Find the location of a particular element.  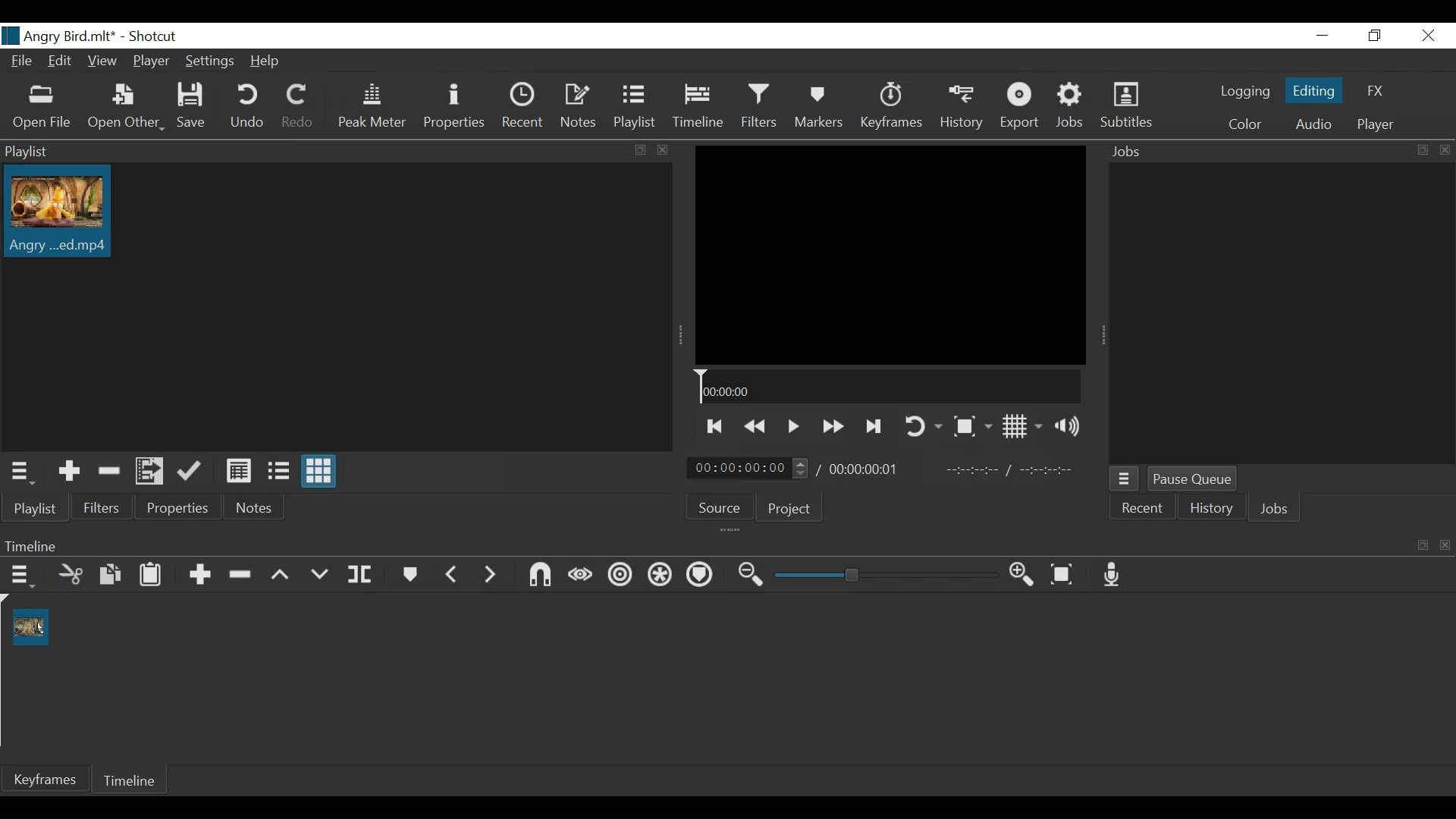

Open Other is located at coordinates (124, 108).